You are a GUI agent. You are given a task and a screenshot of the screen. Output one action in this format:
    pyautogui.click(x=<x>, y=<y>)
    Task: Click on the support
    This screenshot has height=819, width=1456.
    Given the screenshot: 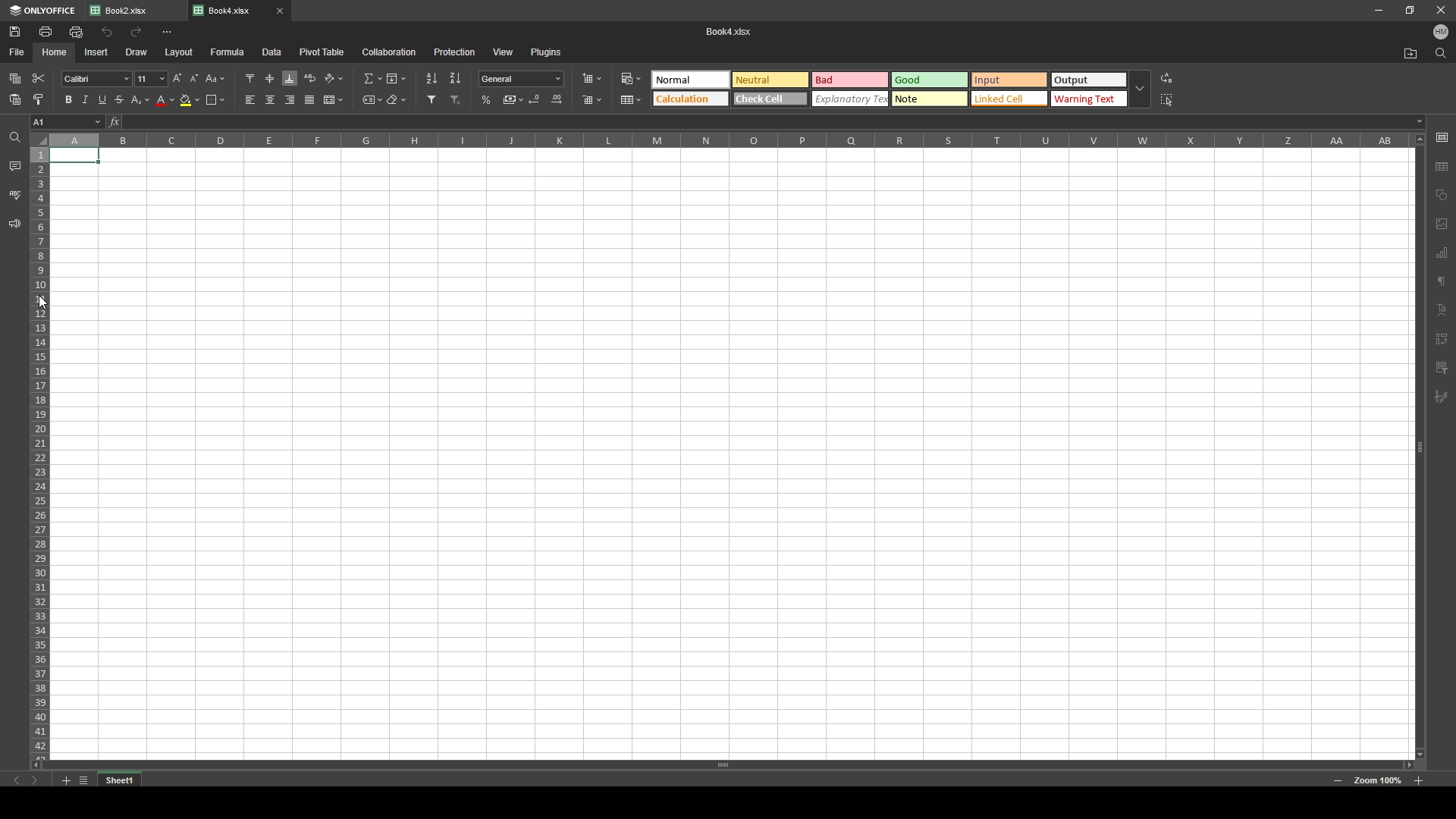 What is the action you would take?
    pyautogui.click(x=14, y=224)
    